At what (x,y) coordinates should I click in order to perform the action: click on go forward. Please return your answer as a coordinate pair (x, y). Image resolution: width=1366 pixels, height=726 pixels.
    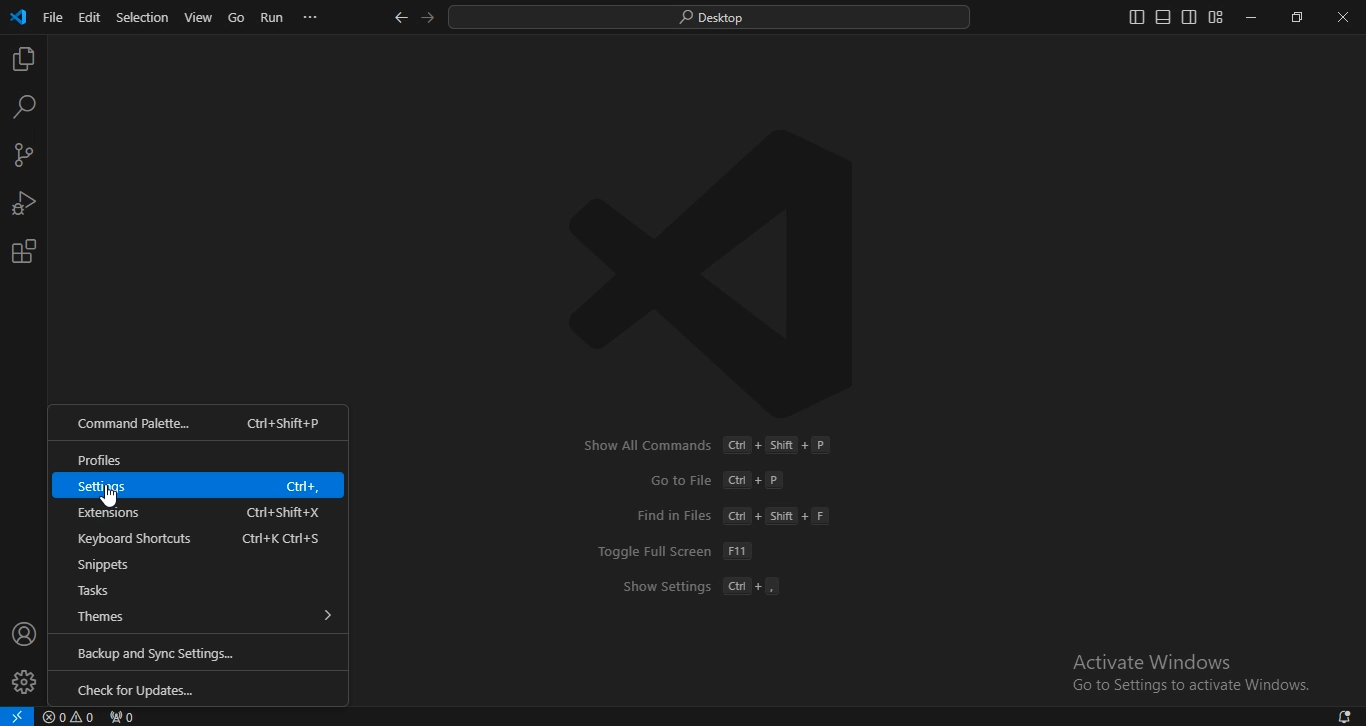
    Looking at the image, I should click on (431, 17).